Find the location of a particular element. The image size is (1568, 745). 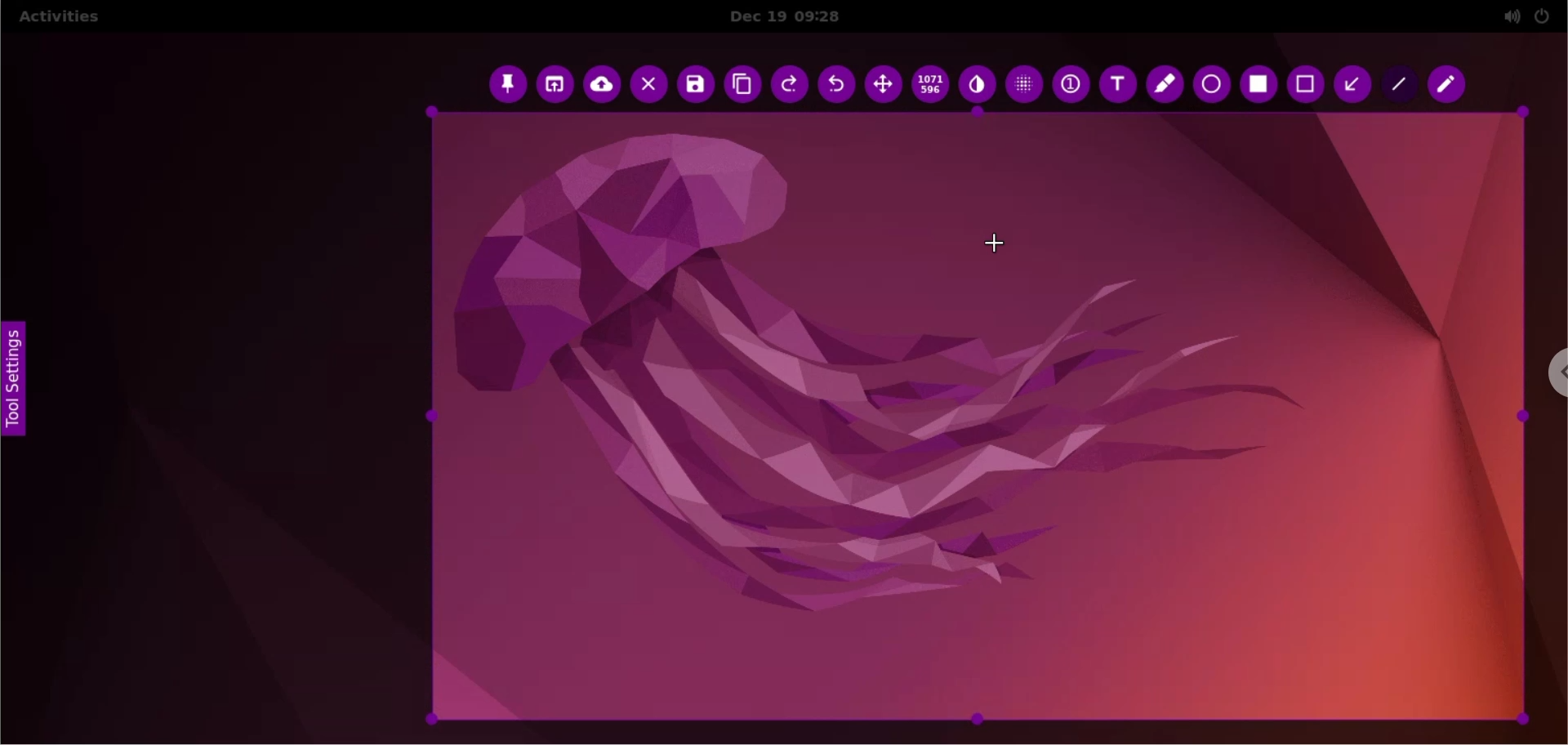

cursor is located at coordinates (1000, 243).